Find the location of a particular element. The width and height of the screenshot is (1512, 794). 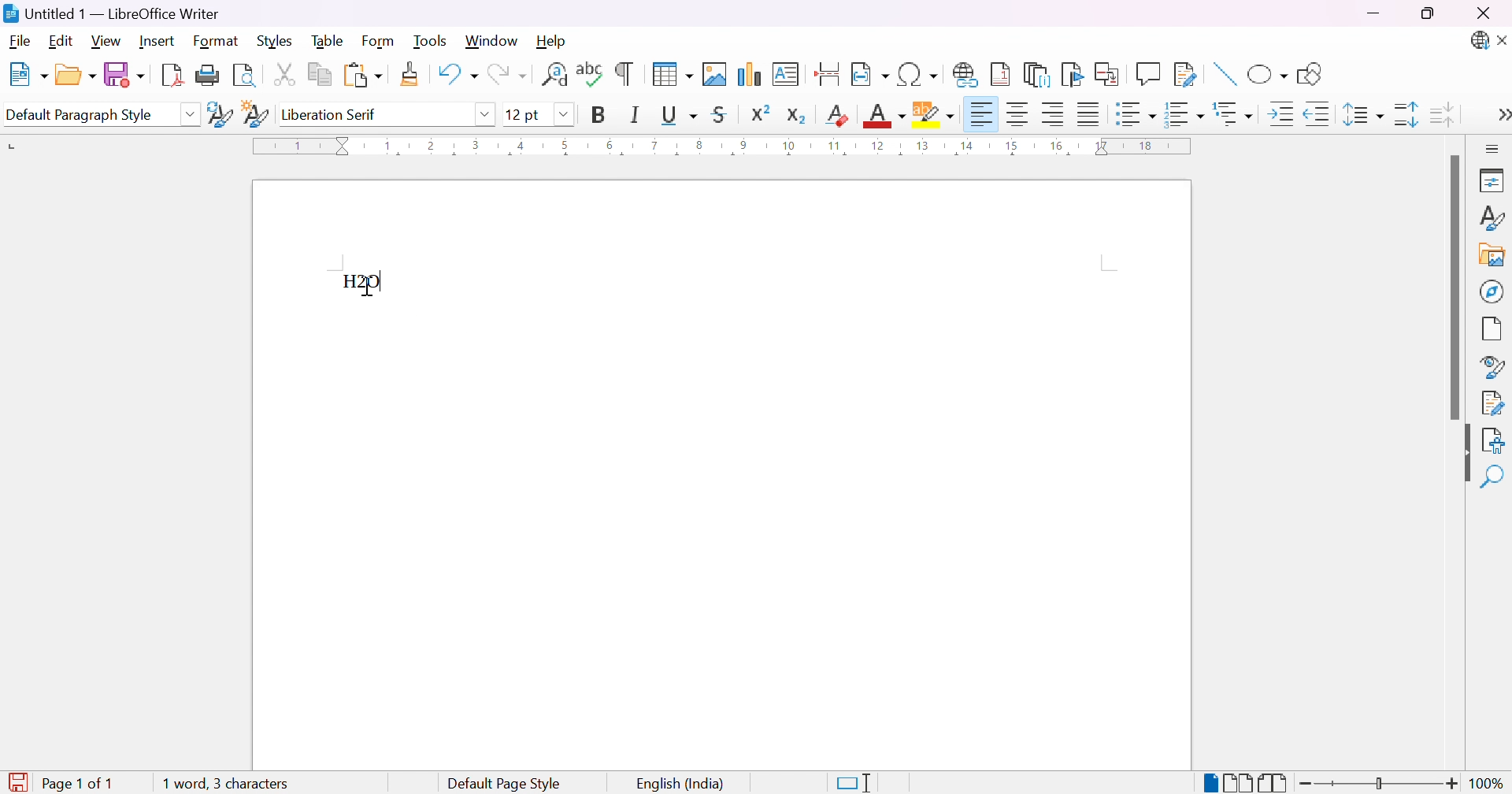

Insert special characters is located at coordinates (919, 75).